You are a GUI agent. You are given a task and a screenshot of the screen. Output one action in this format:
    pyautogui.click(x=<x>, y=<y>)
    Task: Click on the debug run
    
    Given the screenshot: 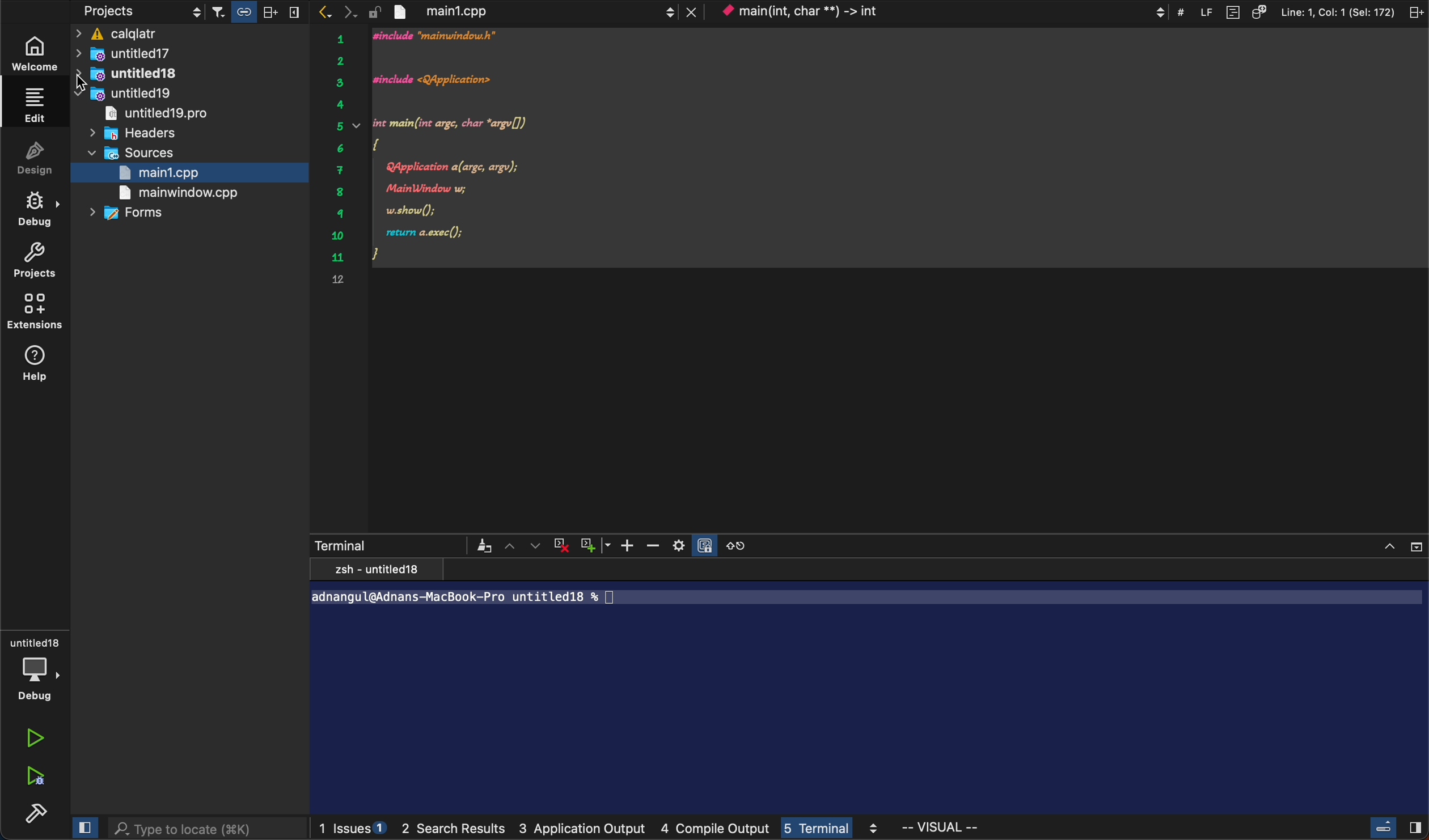 What is the action you would take?
    pyautogui.click(x=32, y=778)
    